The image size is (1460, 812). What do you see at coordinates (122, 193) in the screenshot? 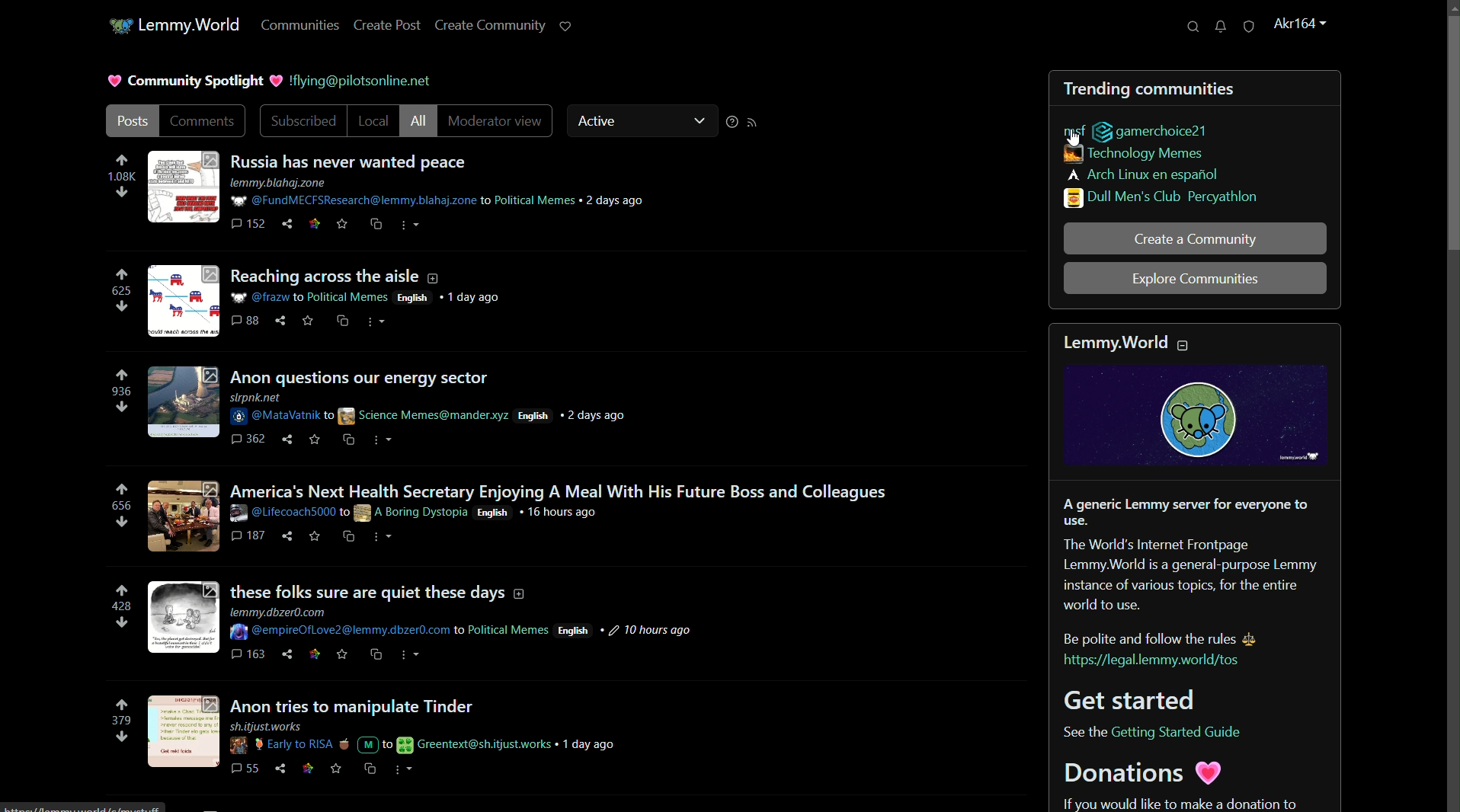
I see `downvote` at bounding box center [122, 193].